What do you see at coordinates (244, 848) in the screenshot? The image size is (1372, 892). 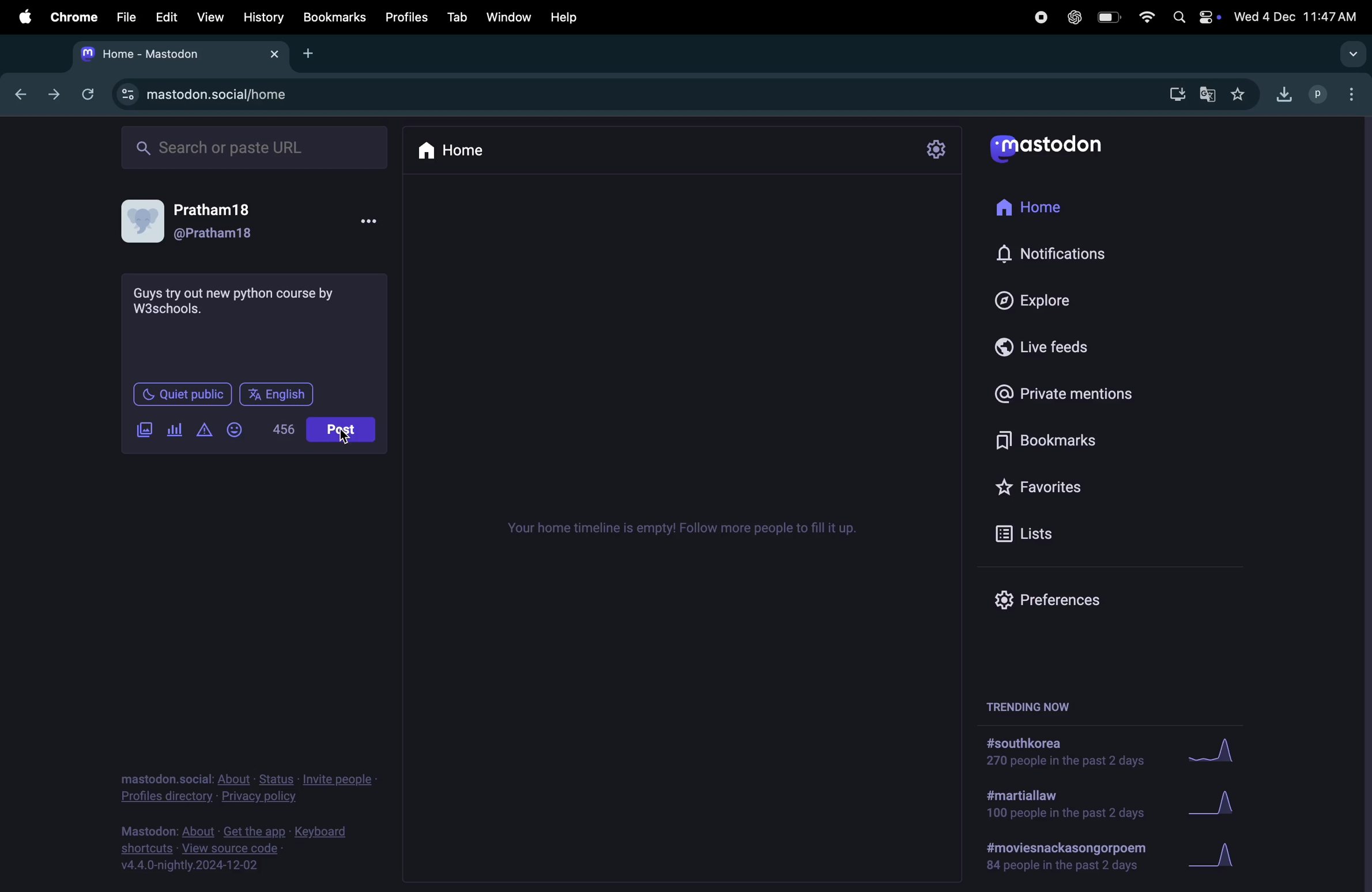 I see `source code` at bounding box center [244, 848].